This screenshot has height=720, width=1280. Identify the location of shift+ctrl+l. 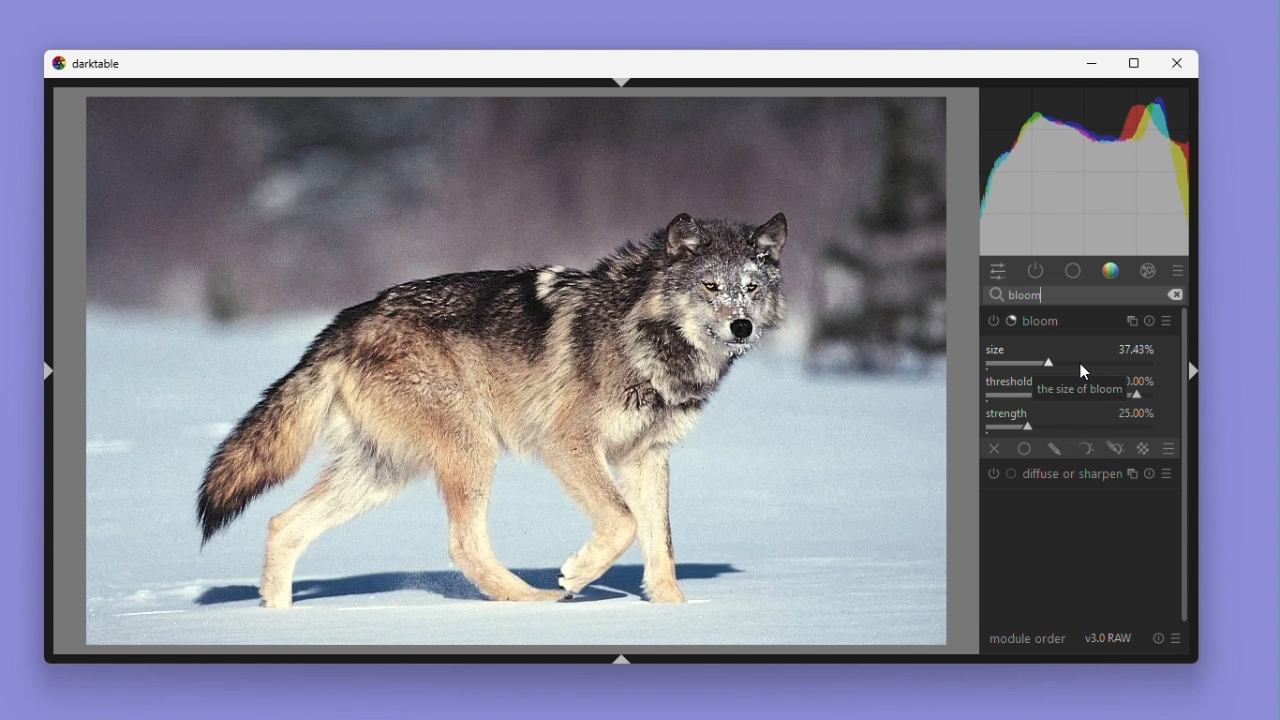
(50, 371).